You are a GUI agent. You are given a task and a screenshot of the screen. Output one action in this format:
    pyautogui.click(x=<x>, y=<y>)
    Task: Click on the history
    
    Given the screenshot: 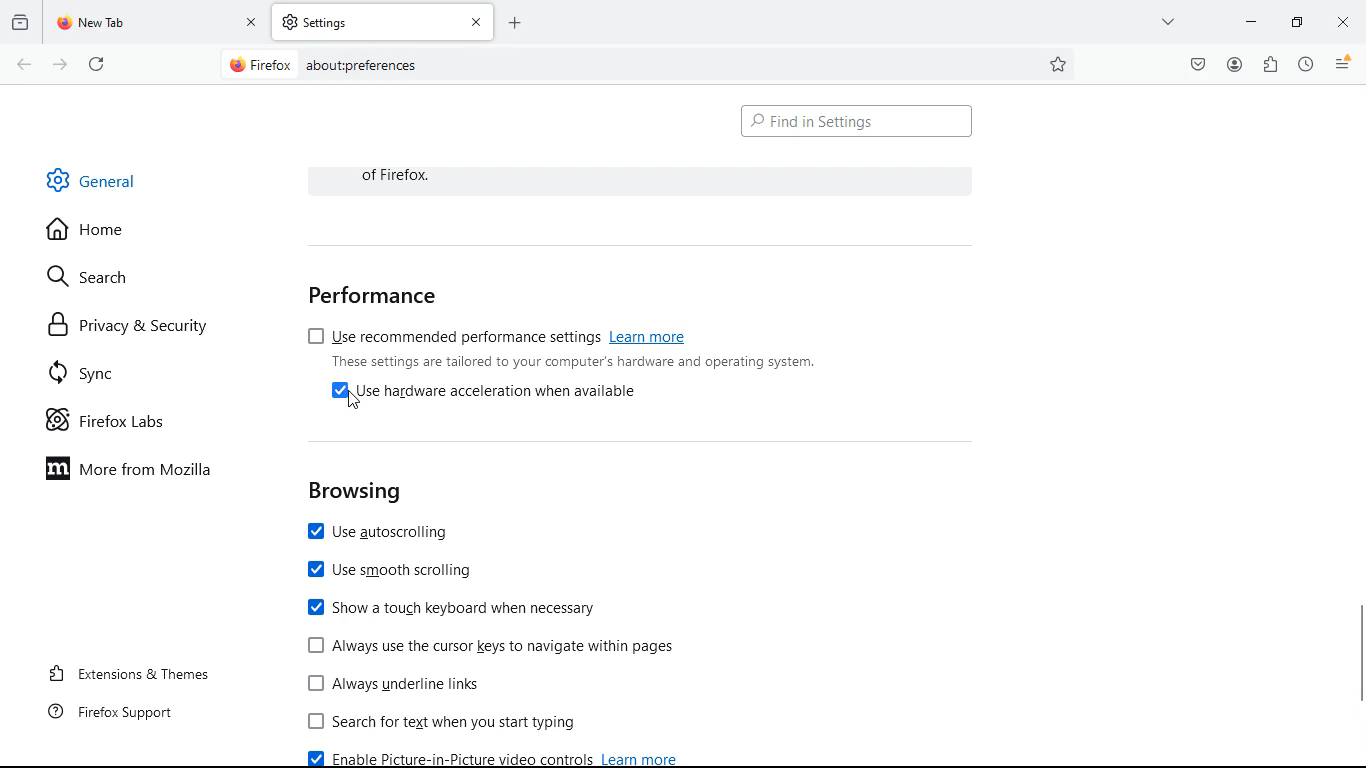 What is the action you would take?
    pyautogui.click(x=1305, y=65)
    